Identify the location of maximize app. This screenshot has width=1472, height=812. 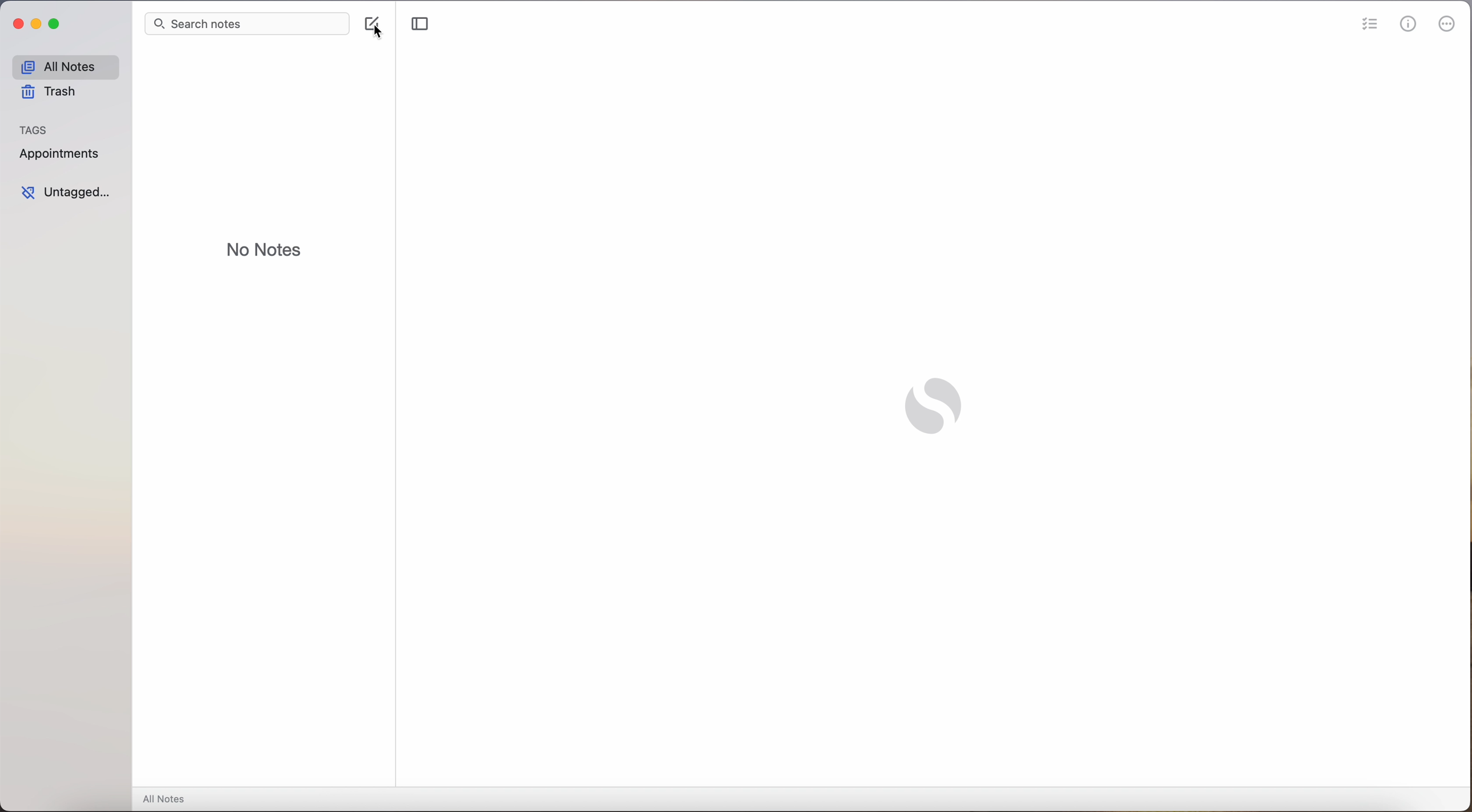
(56, 25).